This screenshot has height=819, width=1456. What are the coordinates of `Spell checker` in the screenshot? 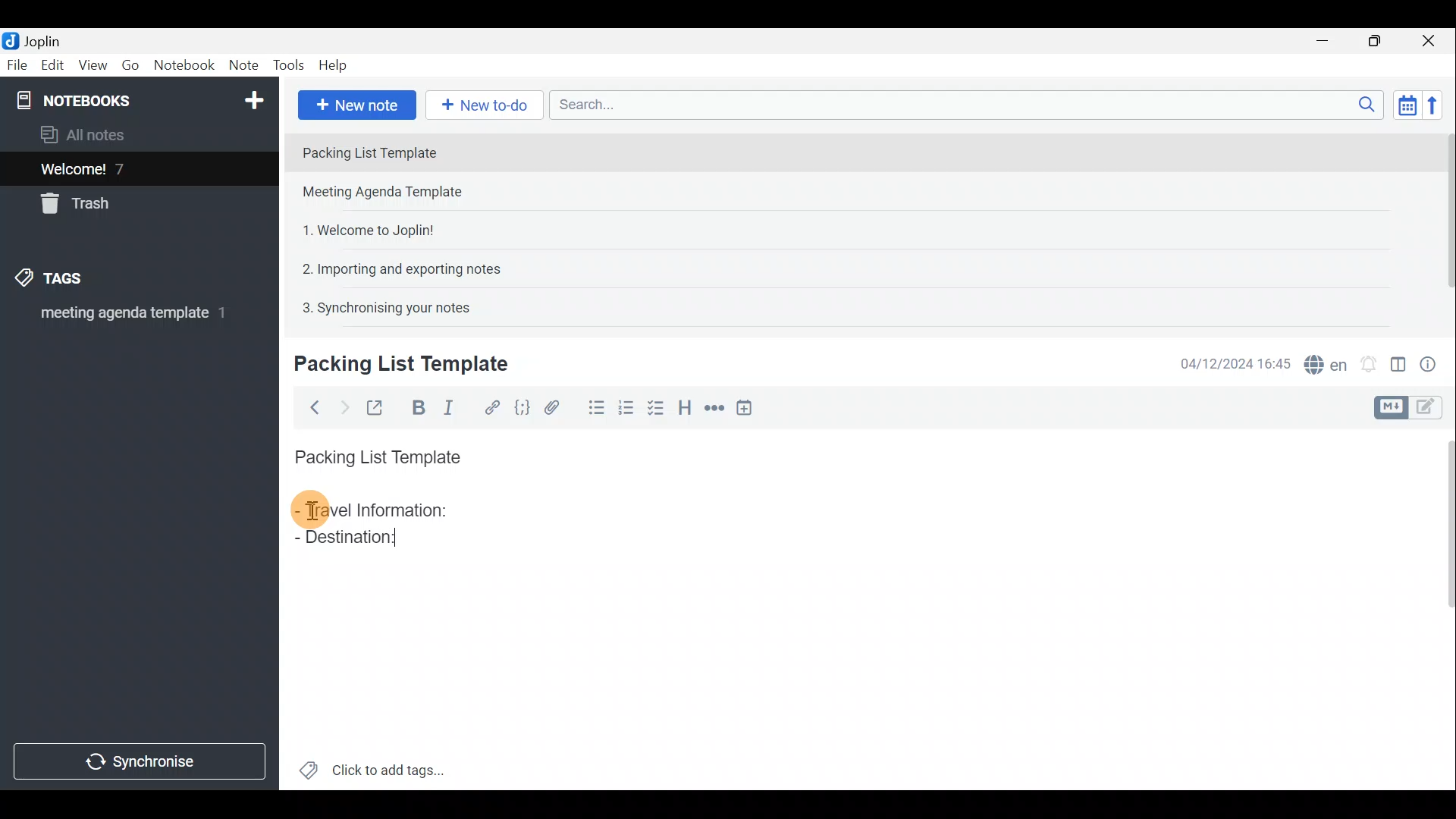 It's located at (1322, 362).